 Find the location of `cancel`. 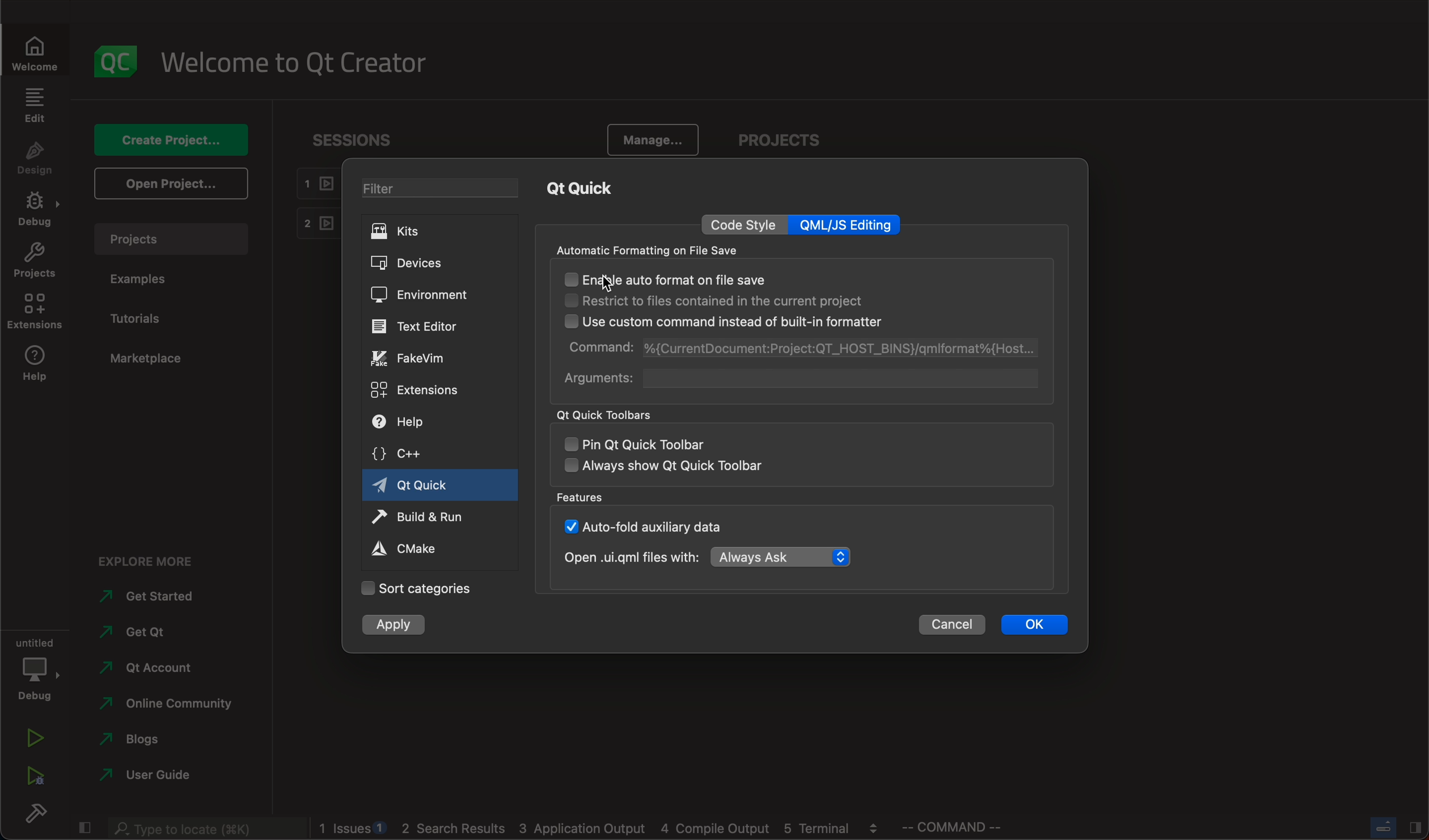

cancel is located at coordinates (955, 625).